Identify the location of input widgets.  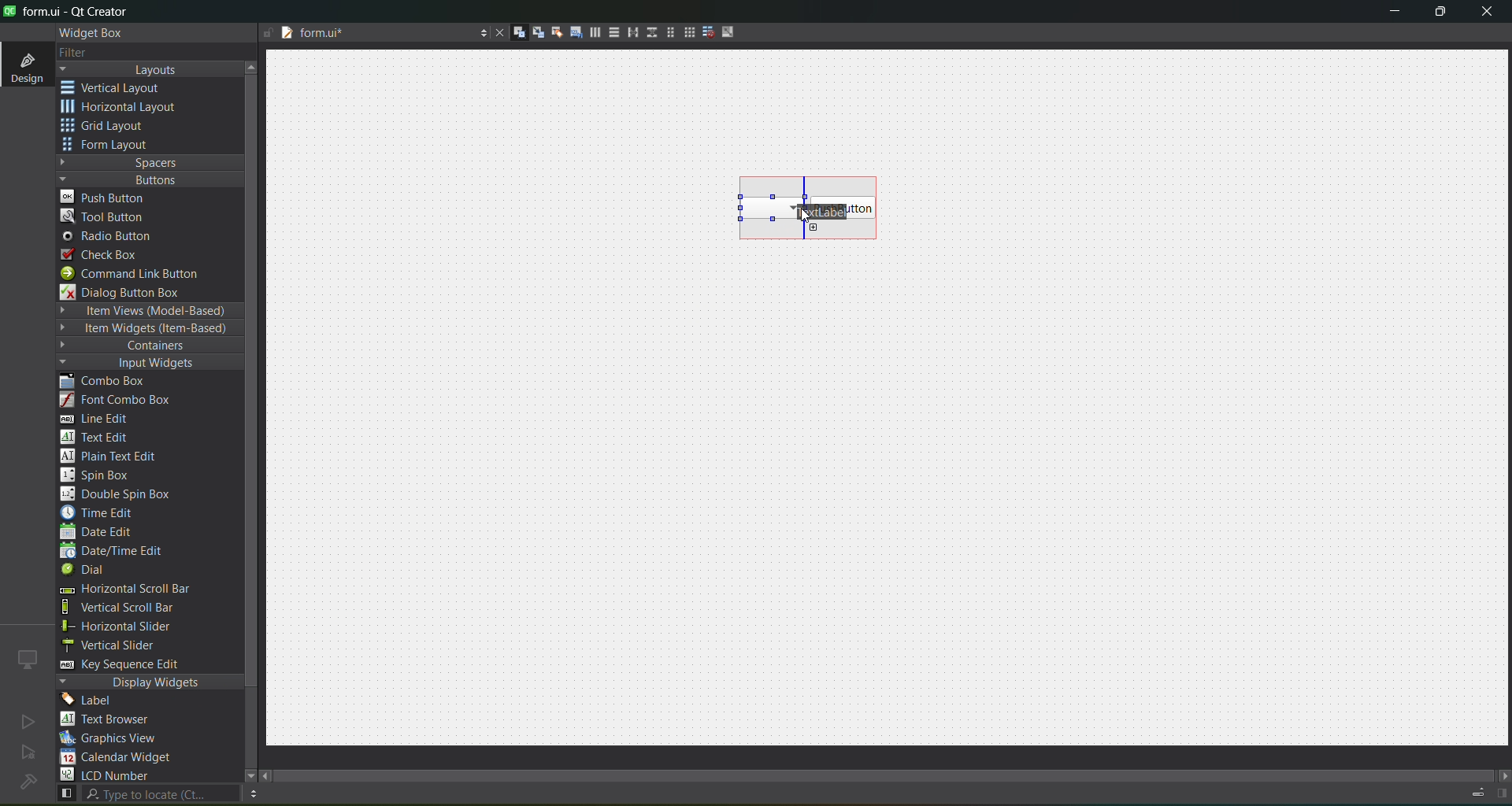
(142, 364).